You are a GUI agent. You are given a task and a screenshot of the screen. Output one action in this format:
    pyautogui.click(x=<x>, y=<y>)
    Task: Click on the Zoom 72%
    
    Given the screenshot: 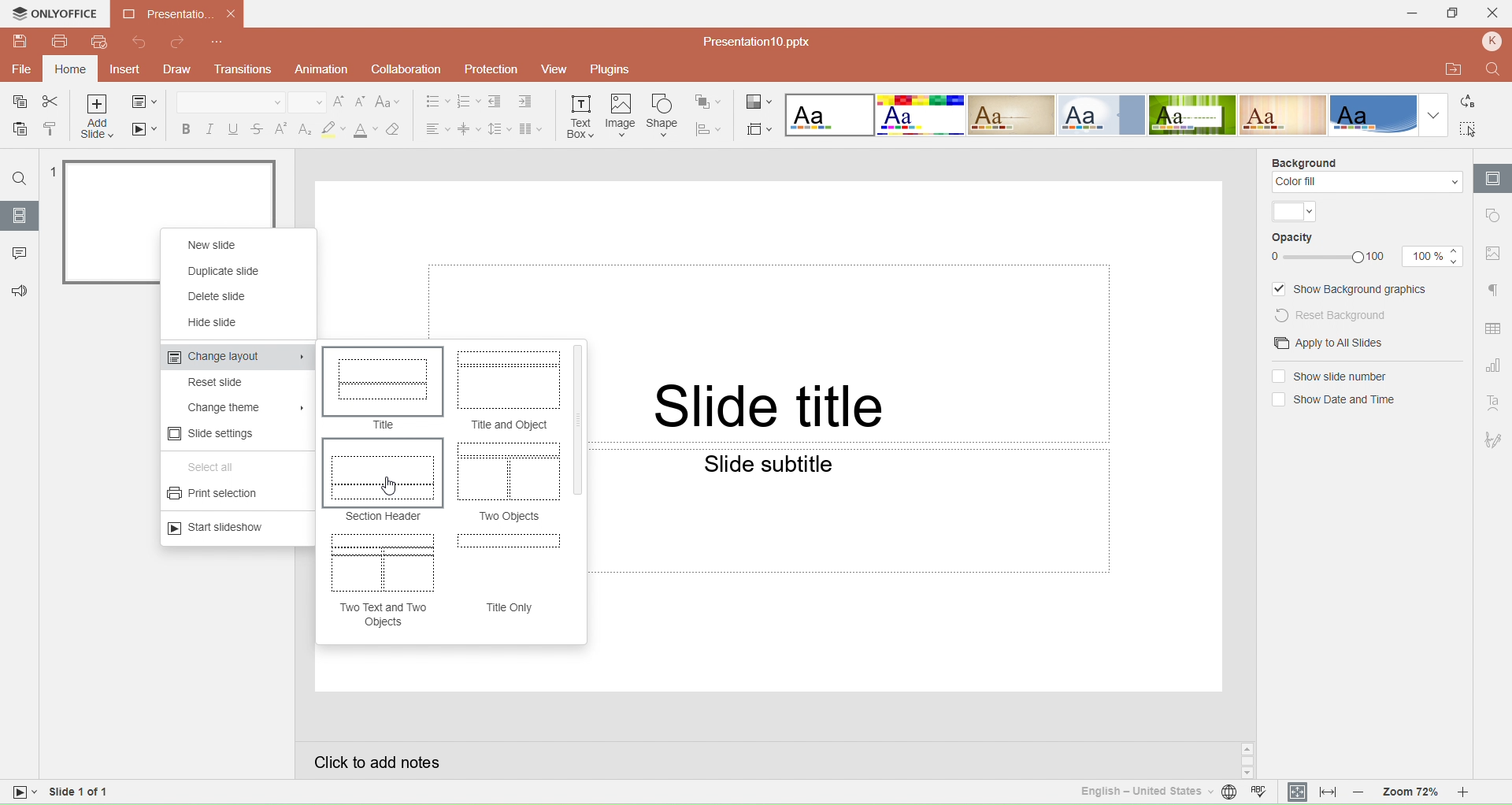 What is the action you would take?
    pyautogui.click(x=1406, y=793)
    